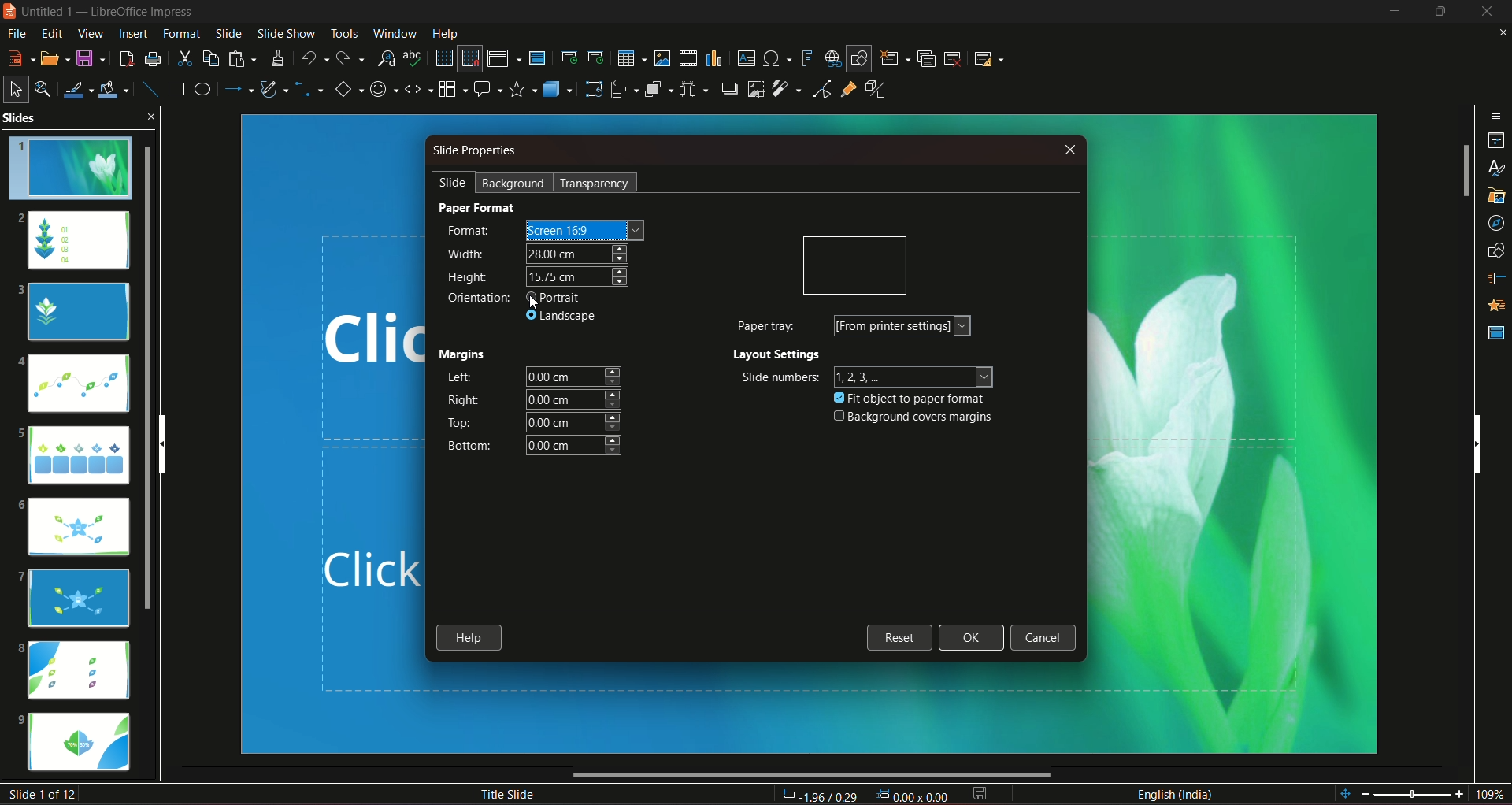 The height and width of the screenshot is (805, 1512). What do you see at coordinates (445, 32) in the screenshot?
I see `help` at bounding box center [445, 32].